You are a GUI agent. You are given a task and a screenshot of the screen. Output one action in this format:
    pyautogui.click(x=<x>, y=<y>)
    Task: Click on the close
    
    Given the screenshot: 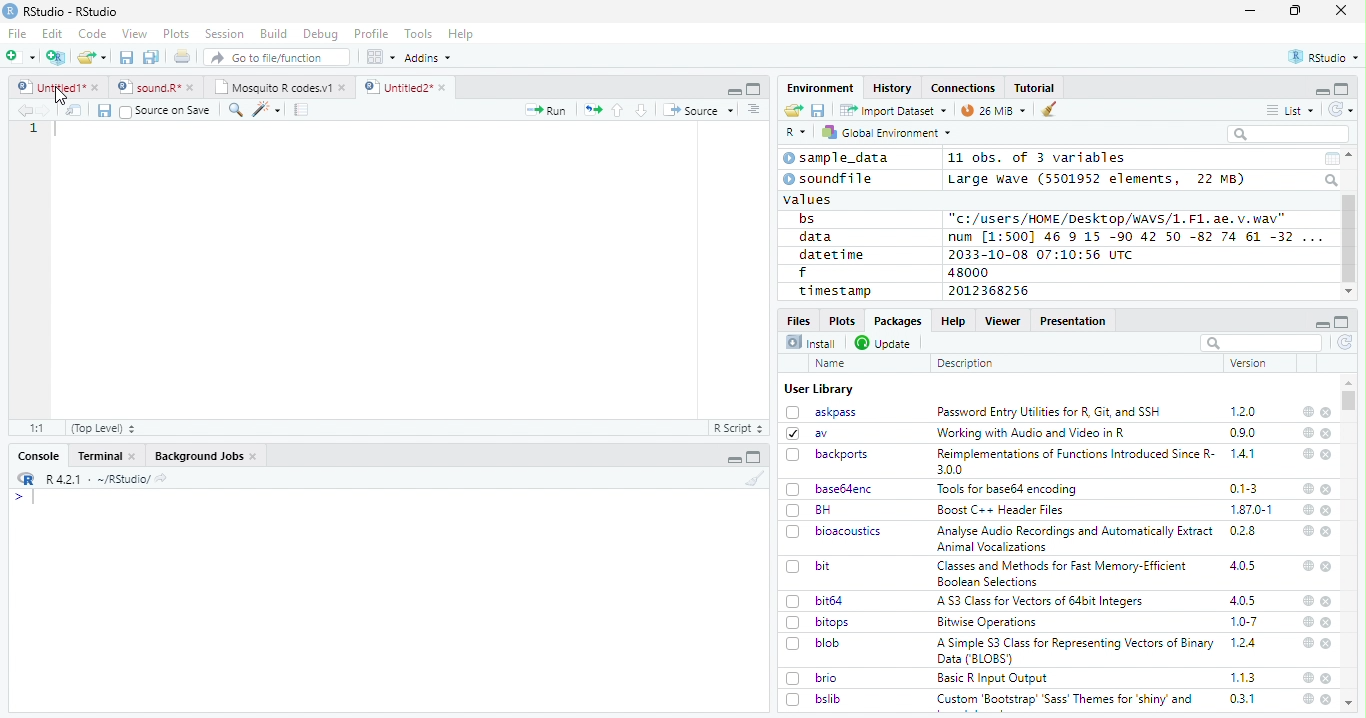 What is the action you would take?
    pyautogui.click(x=1326, y=699)
    